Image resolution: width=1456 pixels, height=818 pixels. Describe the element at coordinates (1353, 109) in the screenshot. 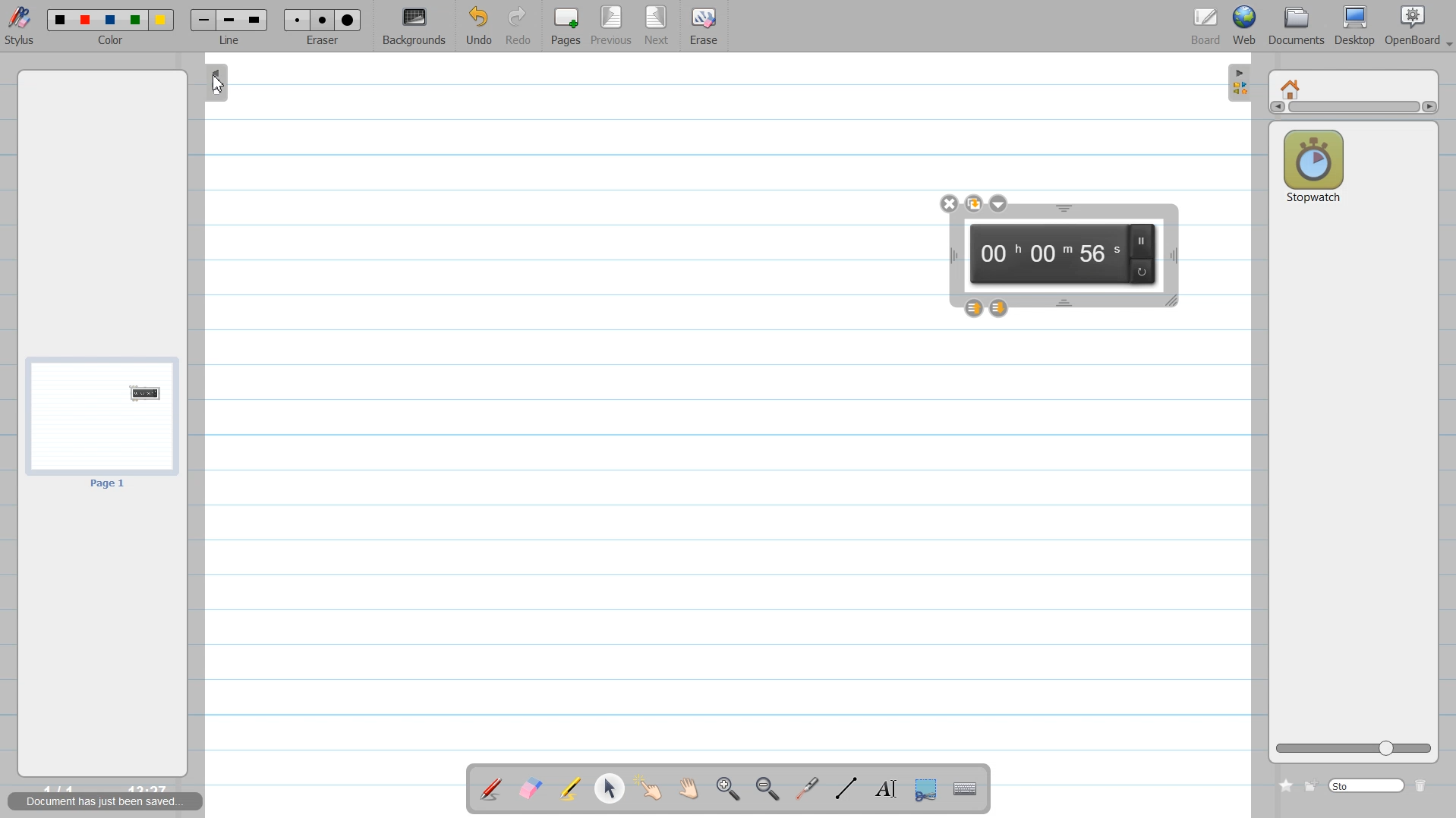

I see `Vertical scroll bar` at that location.